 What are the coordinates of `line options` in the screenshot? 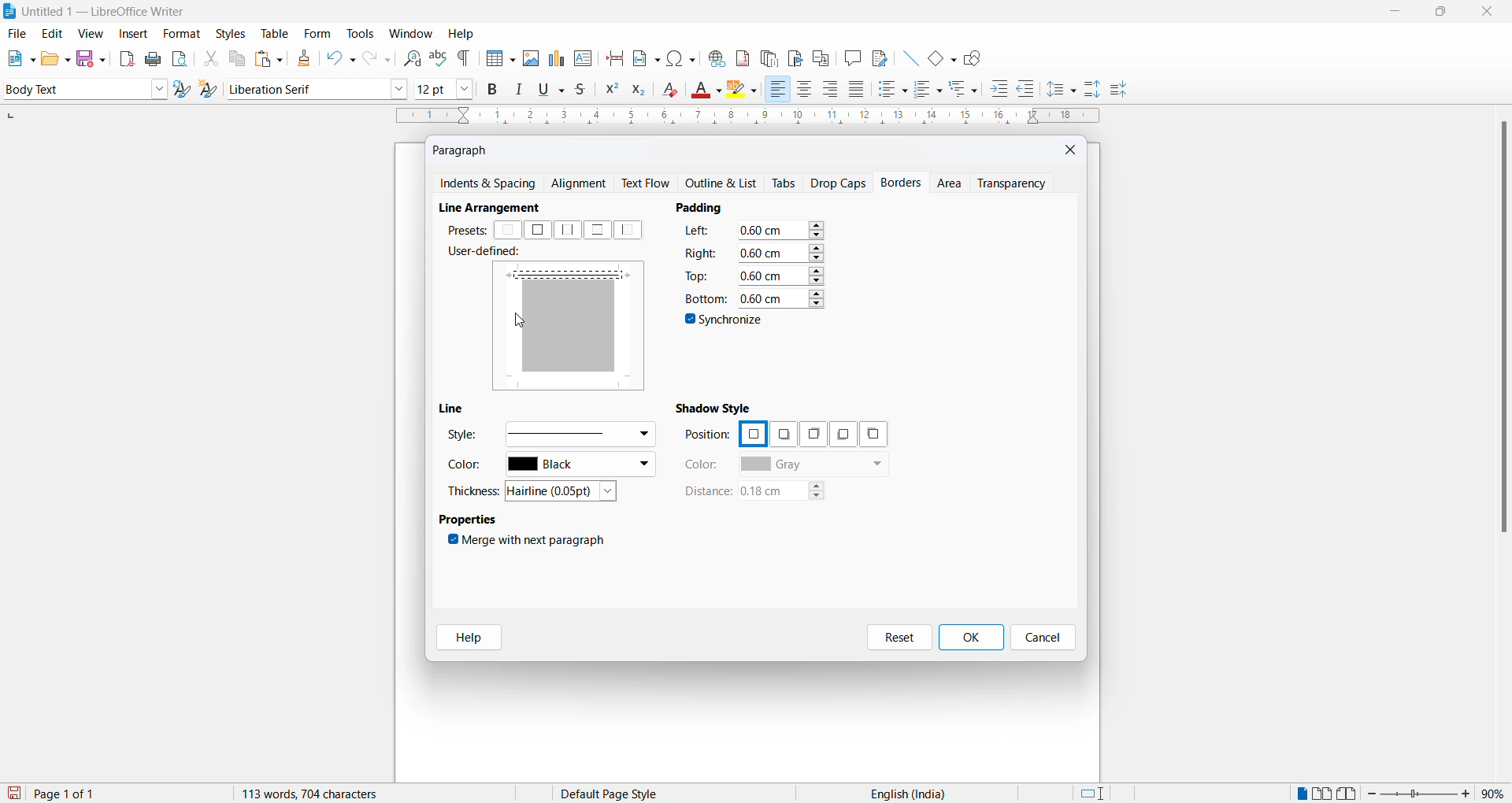 It's located at (579, 433).